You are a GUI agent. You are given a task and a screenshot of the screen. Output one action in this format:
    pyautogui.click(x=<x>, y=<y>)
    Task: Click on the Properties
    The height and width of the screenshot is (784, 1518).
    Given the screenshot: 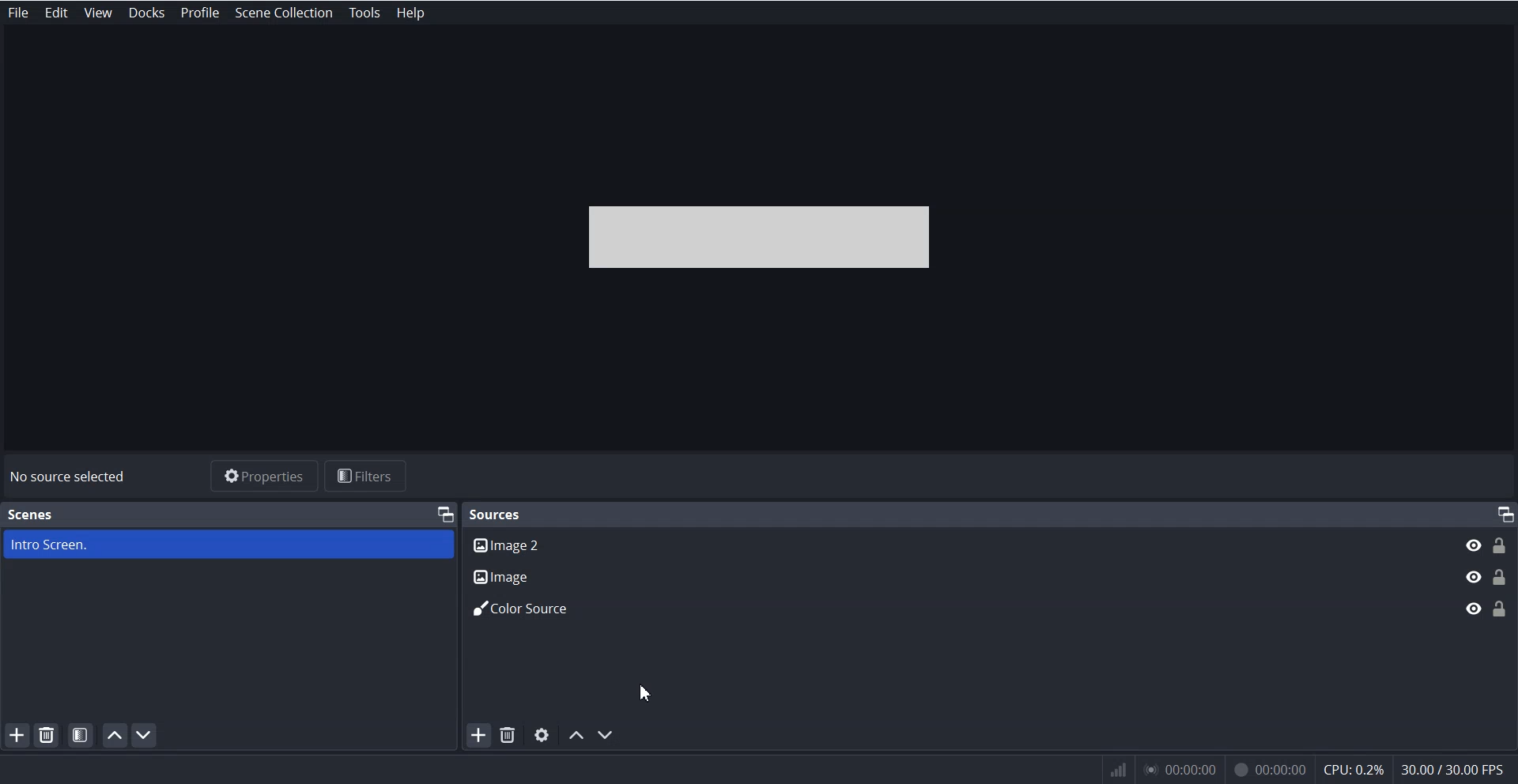 What is the action you would take?
    pyautogui.click(x=263, y=475)
    